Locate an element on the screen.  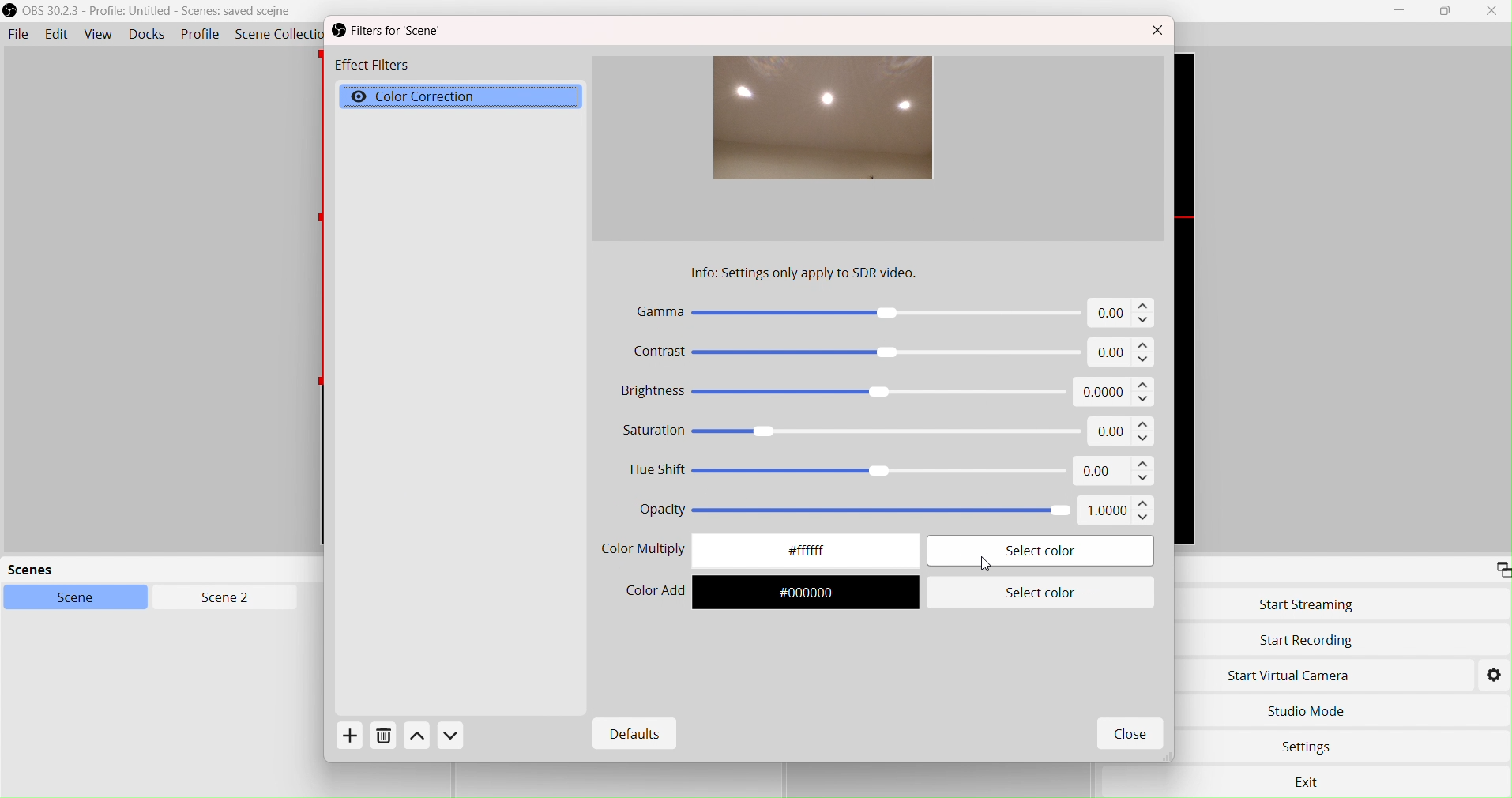
Start Virtual Camera is located at coordinates (1299, 675).